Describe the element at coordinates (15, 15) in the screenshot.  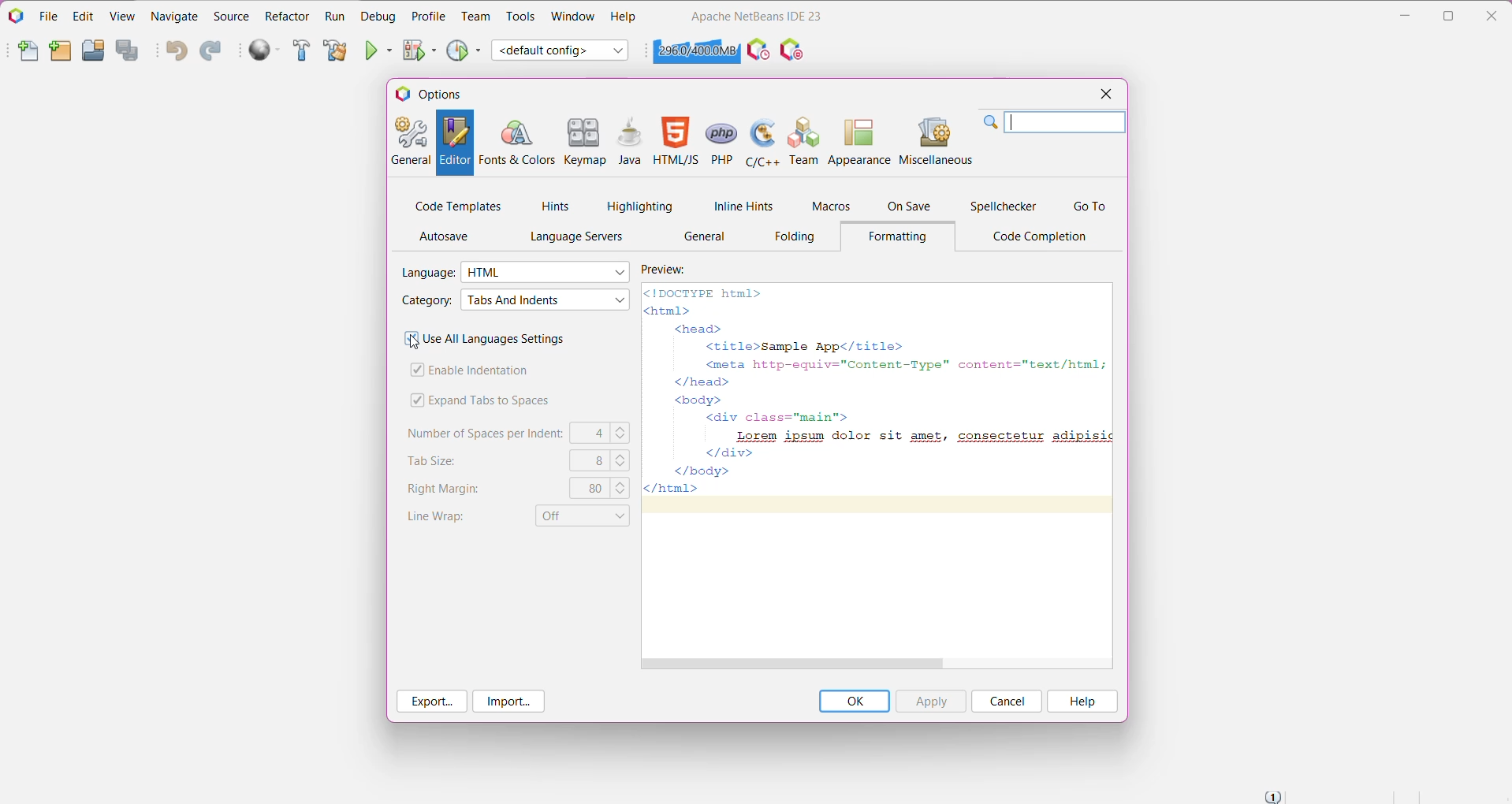
I see `Application Logo` at that location.